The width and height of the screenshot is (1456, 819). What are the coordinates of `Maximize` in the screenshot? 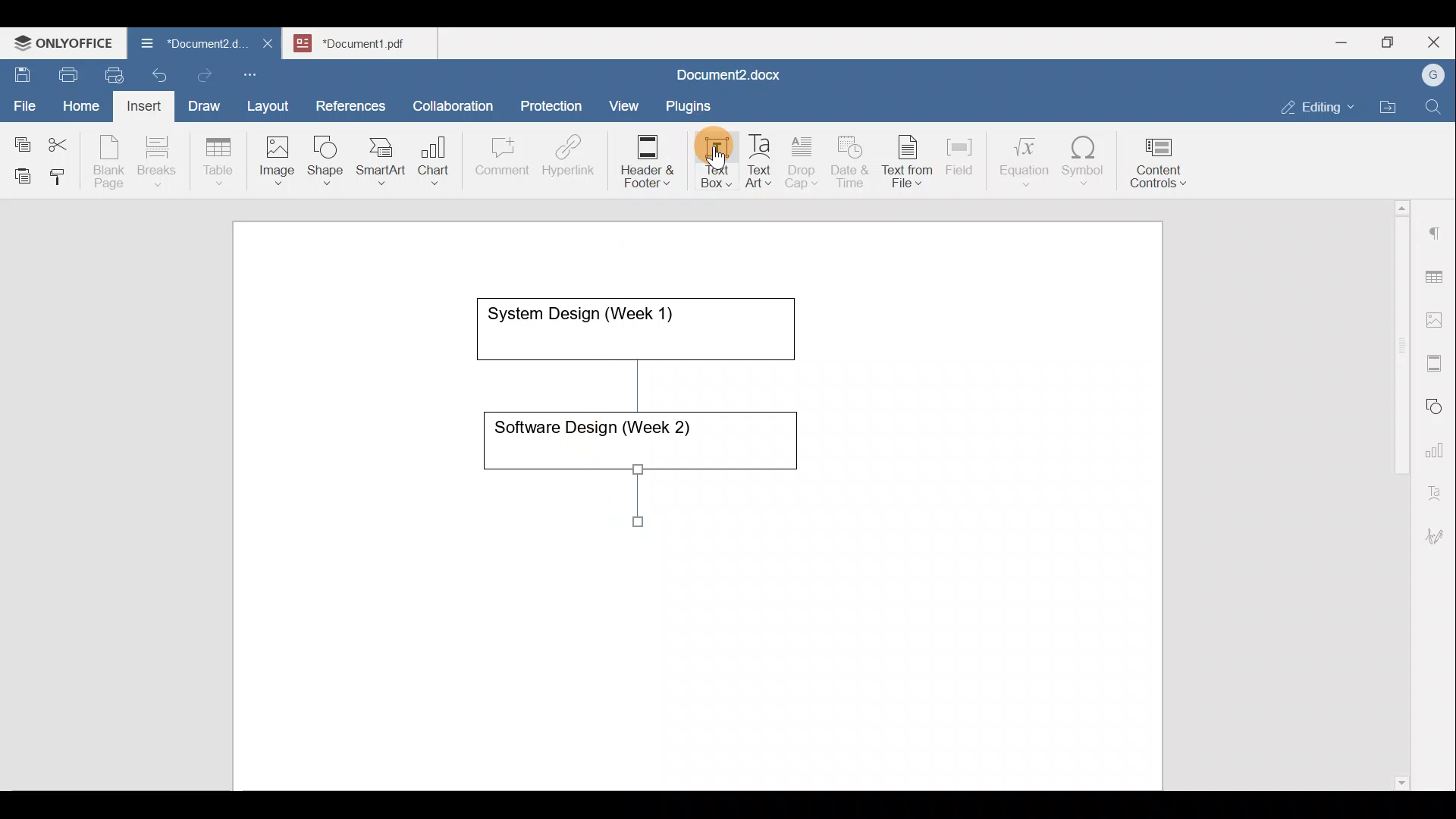 It's located at (1392, 42).